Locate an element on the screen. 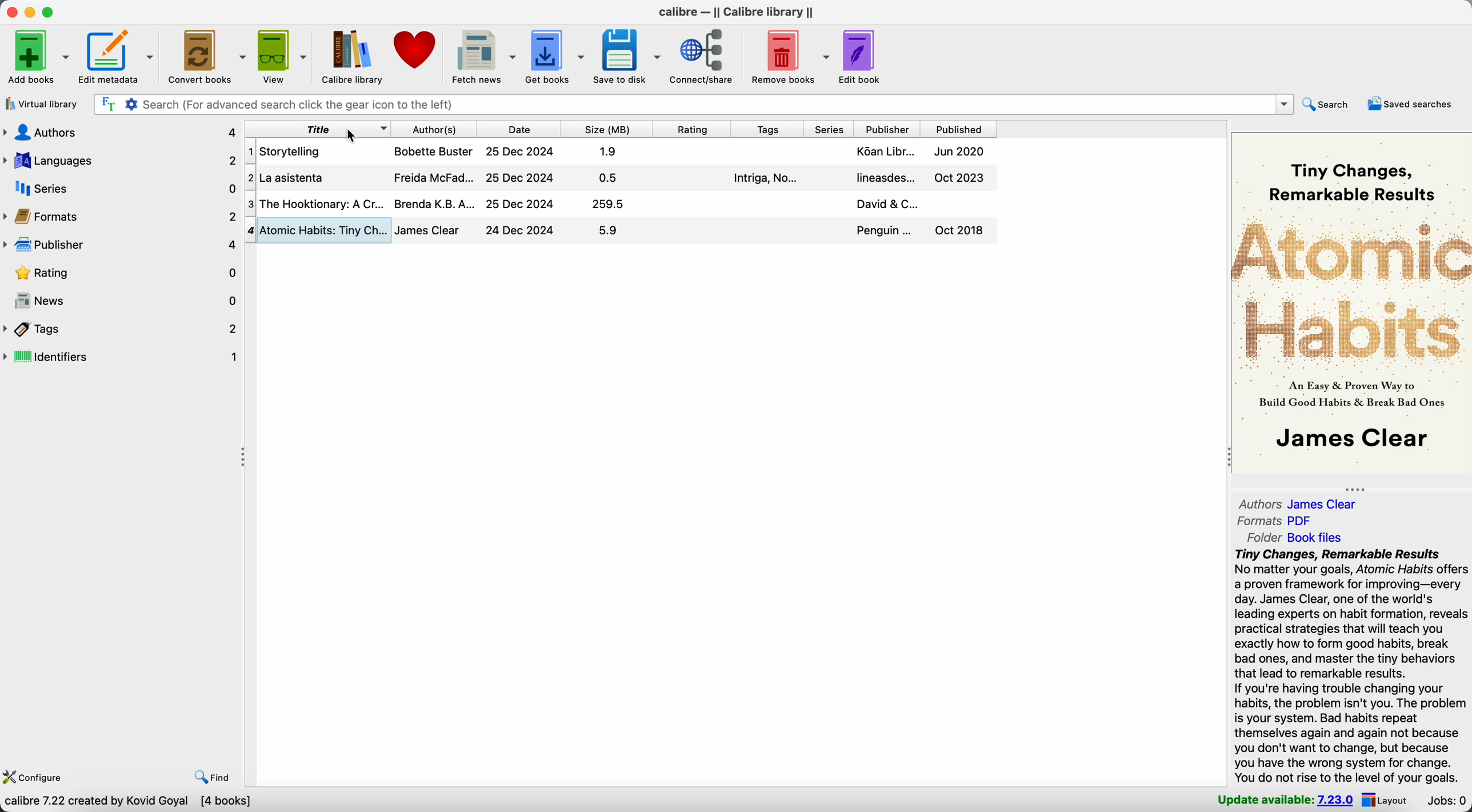 This screenshot has width=1472, height=812. 1.9 is located at coordinates (609, 151).